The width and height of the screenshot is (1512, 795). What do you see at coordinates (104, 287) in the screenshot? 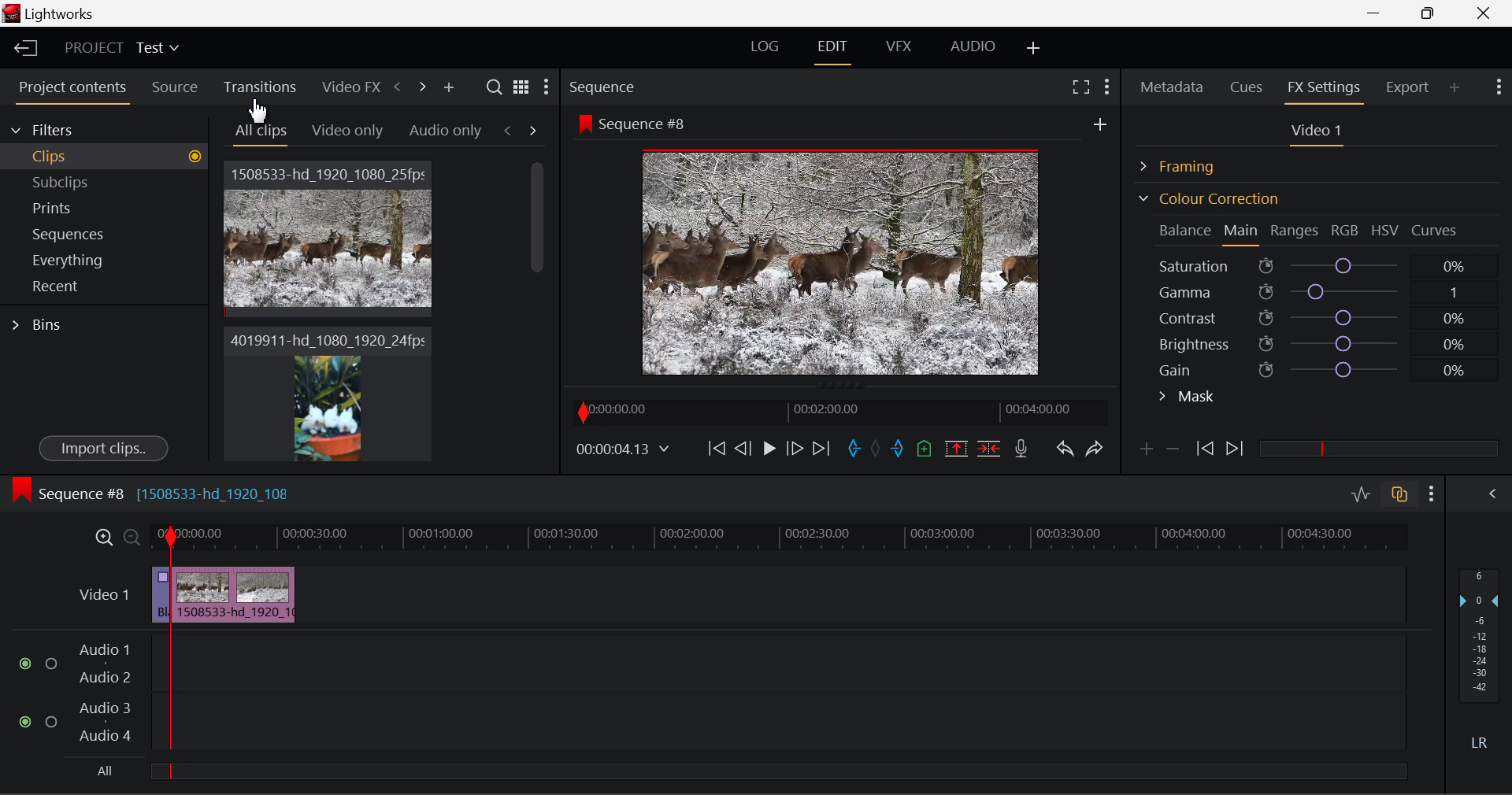
I see `Recent Tab Open` at bounding box center [104, 287].